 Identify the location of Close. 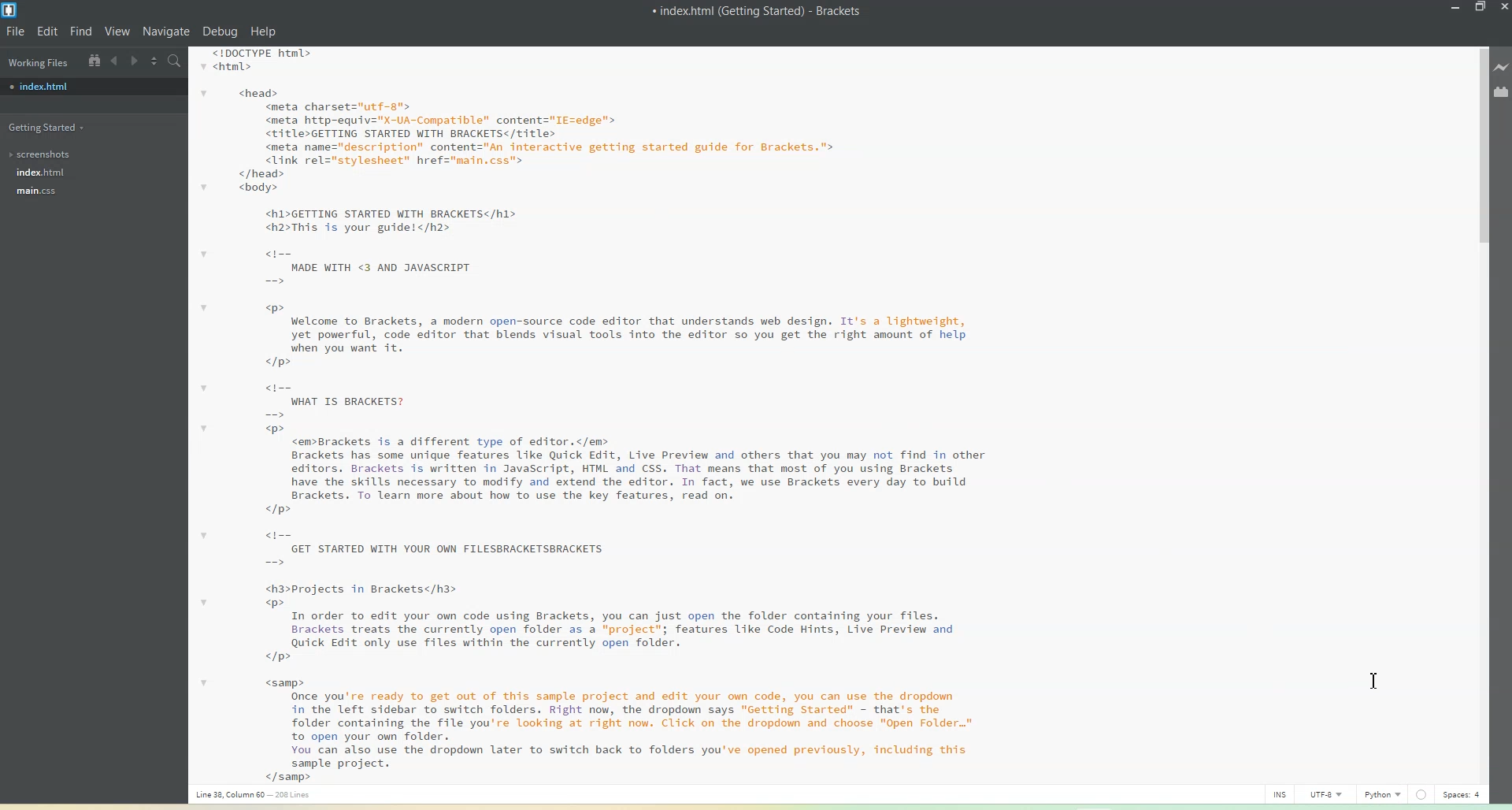
(1503, 8).